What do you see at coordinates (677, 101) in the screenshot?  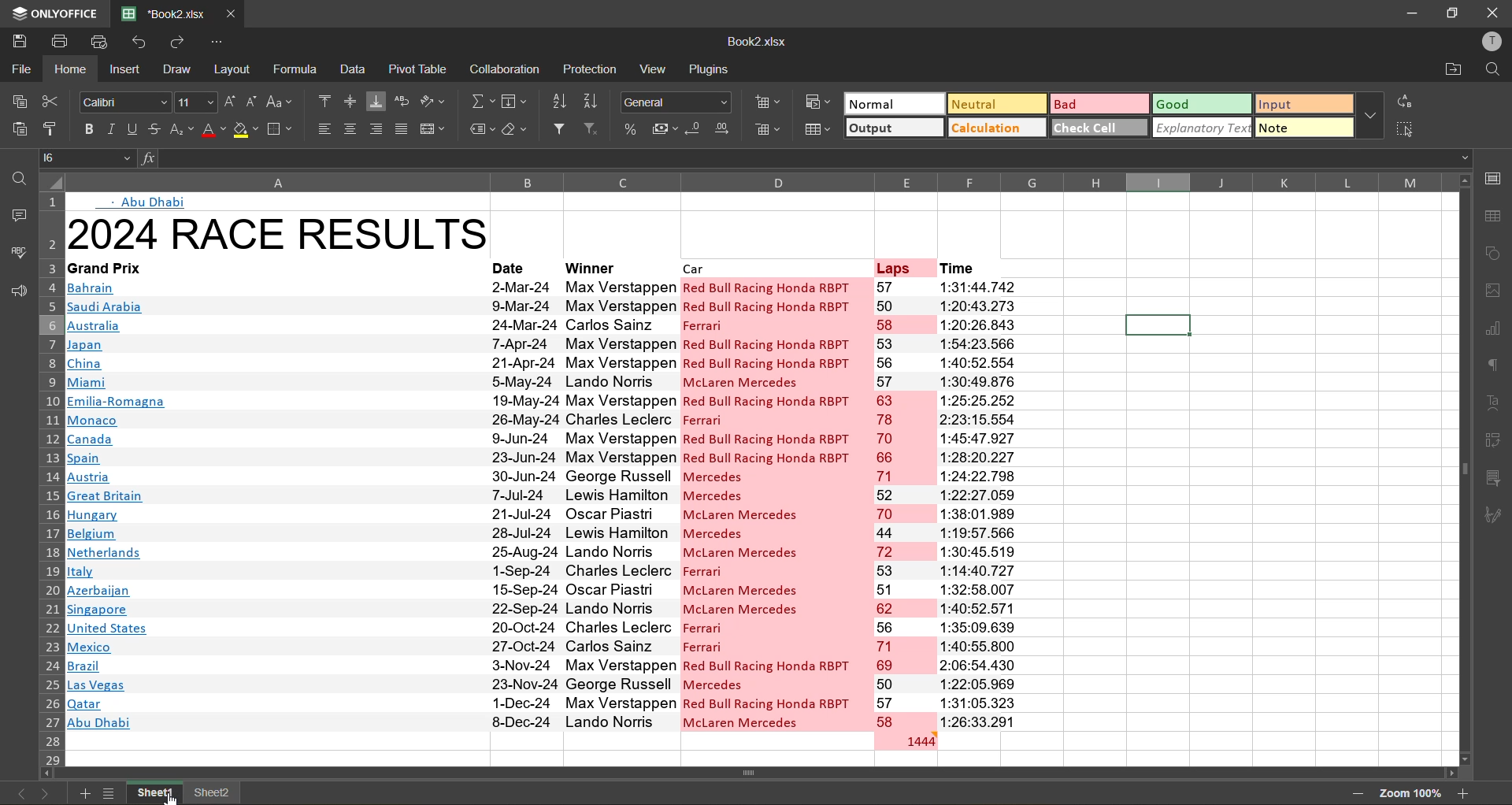 I see `number format` at bounding box center [677, 101].